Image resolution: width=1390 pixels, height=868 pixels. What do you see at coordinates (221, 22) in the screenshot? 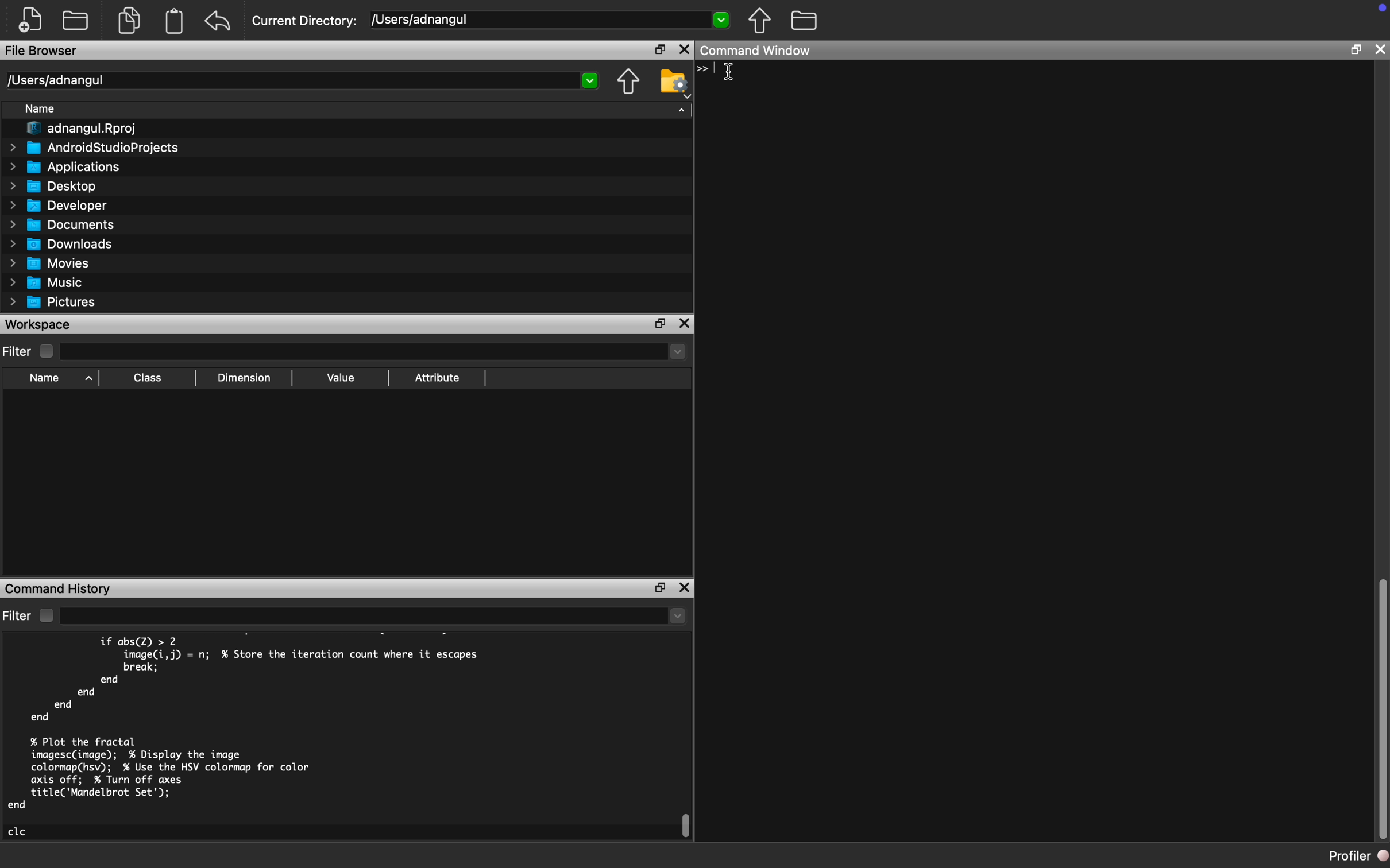
I see `Redo` at bounding box center [221, 22].